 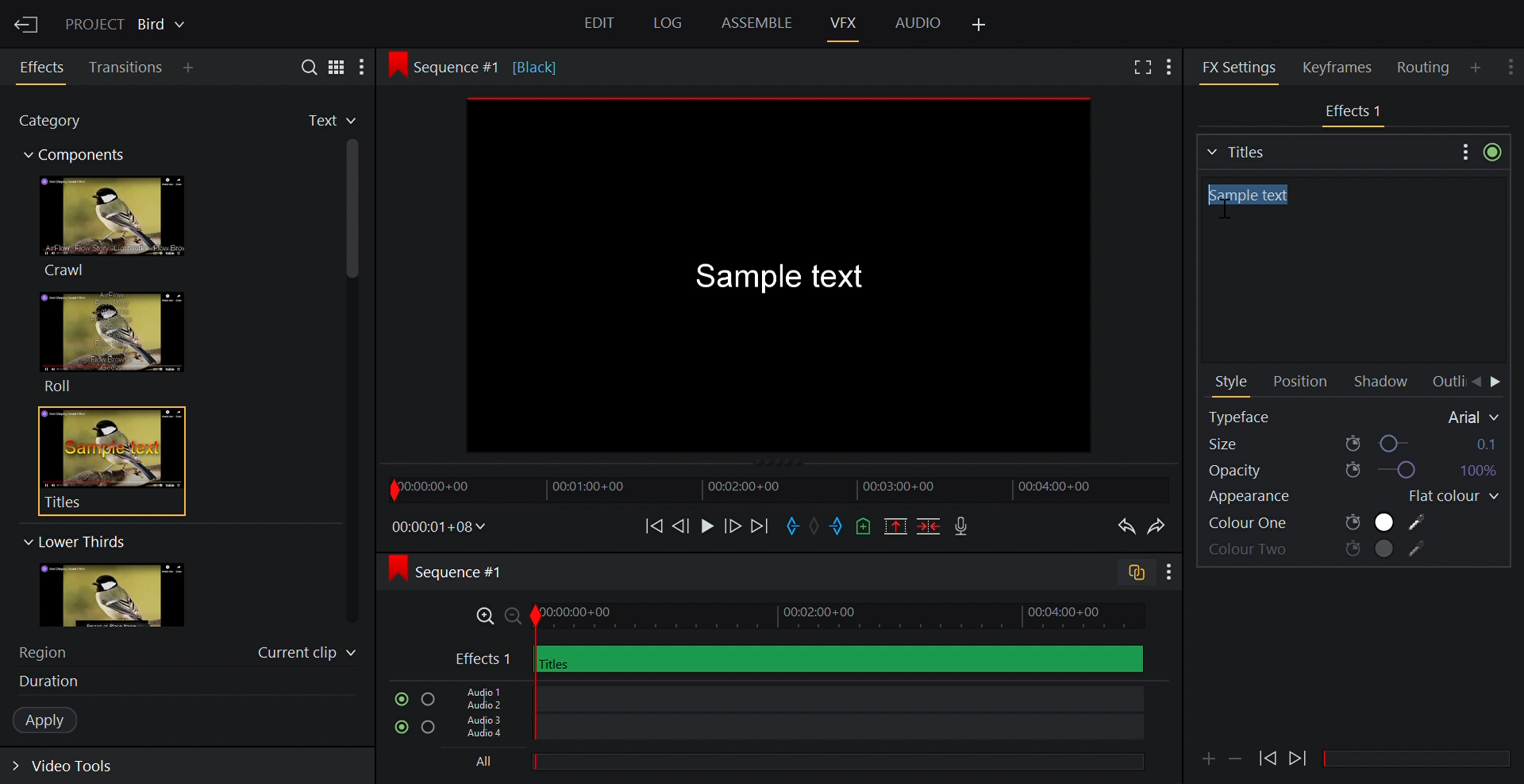 What do you see at coordinates (1446, 382) in the screenshot?
I see `Outline` at bounding box center [1446, 382].